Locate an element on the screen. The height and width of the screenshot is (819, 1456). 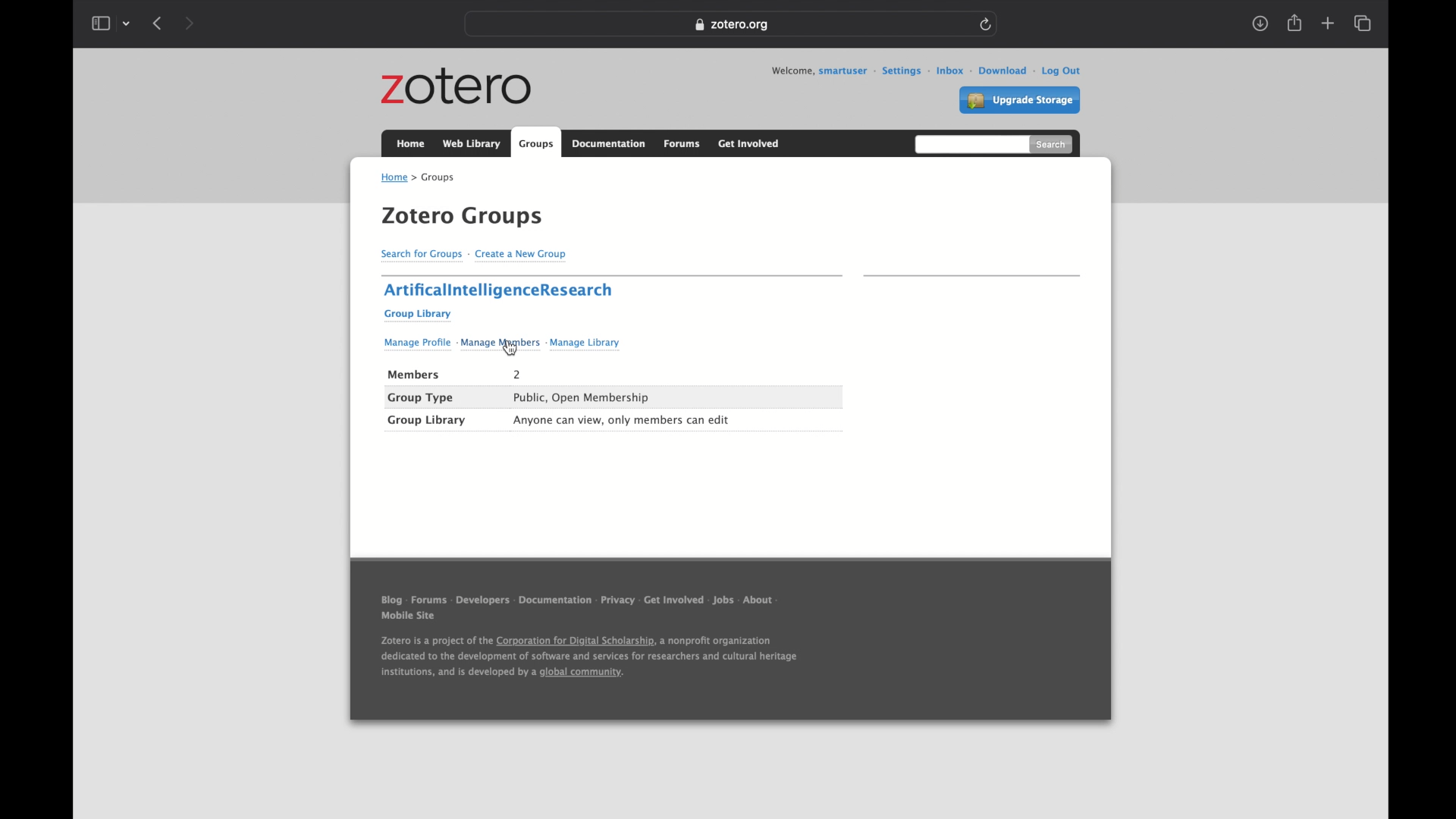
tab group picker is located at coordinates (127, 24).